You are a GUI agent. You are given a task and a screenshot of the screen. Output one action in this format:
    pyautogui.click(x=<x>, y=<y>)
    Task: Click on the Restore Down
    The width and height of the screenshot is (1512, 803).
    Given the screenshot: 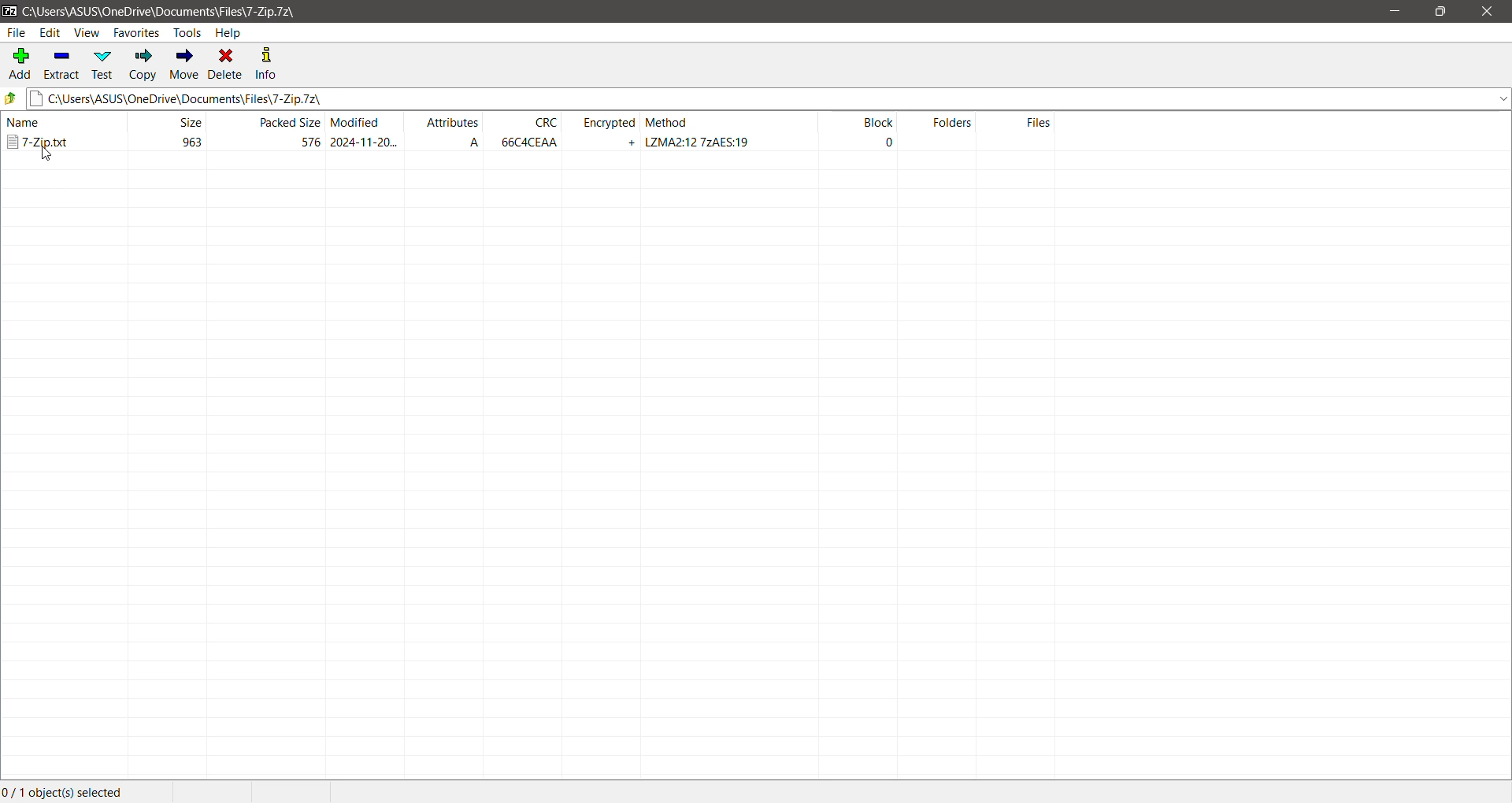 What is the action you would take?
    pyautogui.click(x=1446, y=11)
    